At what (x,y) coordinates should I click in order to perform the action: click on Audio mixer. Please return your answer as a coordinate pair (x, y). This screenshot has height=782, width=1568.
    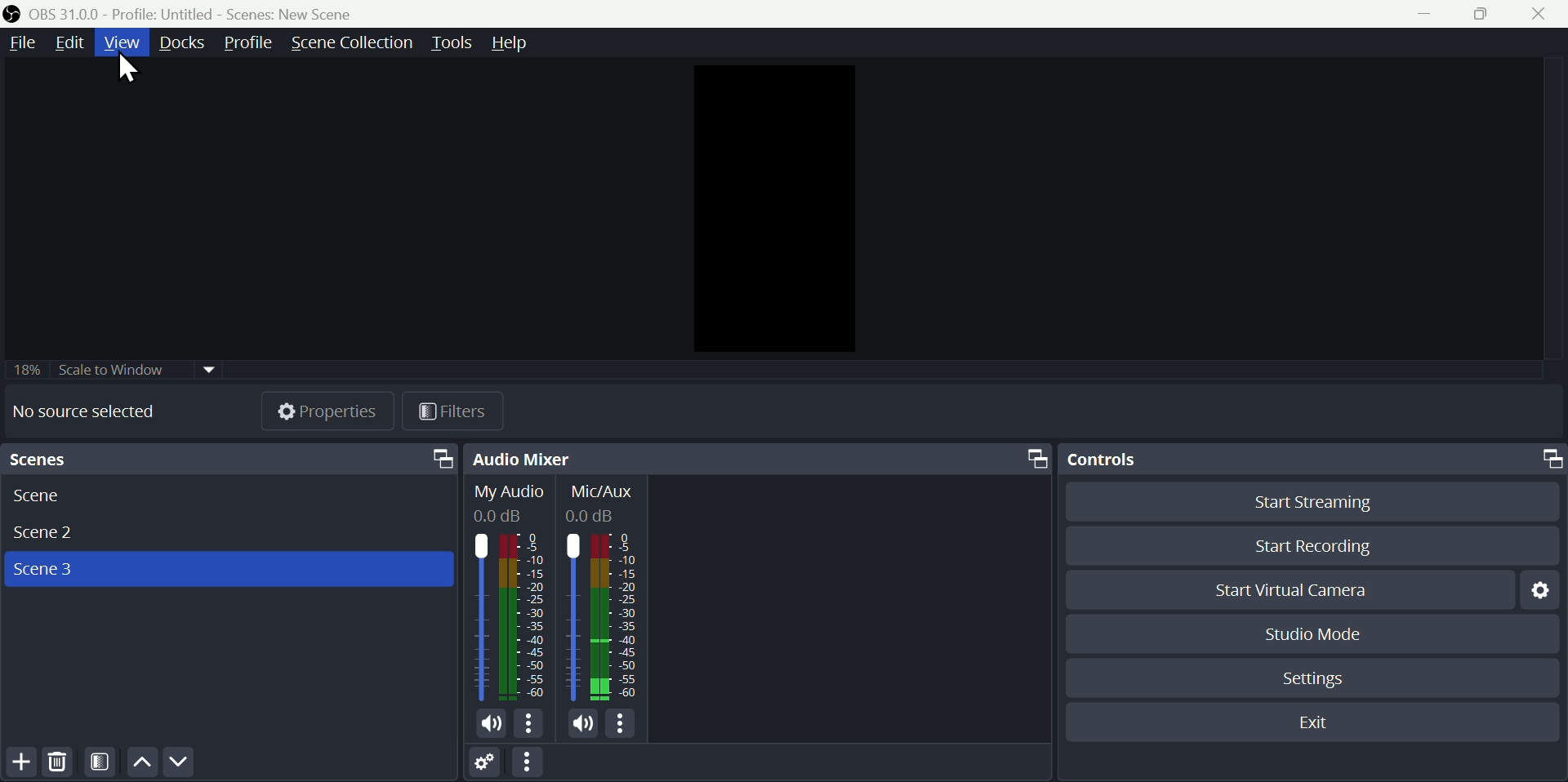
    Looking at the image, I should click on (759, 459).